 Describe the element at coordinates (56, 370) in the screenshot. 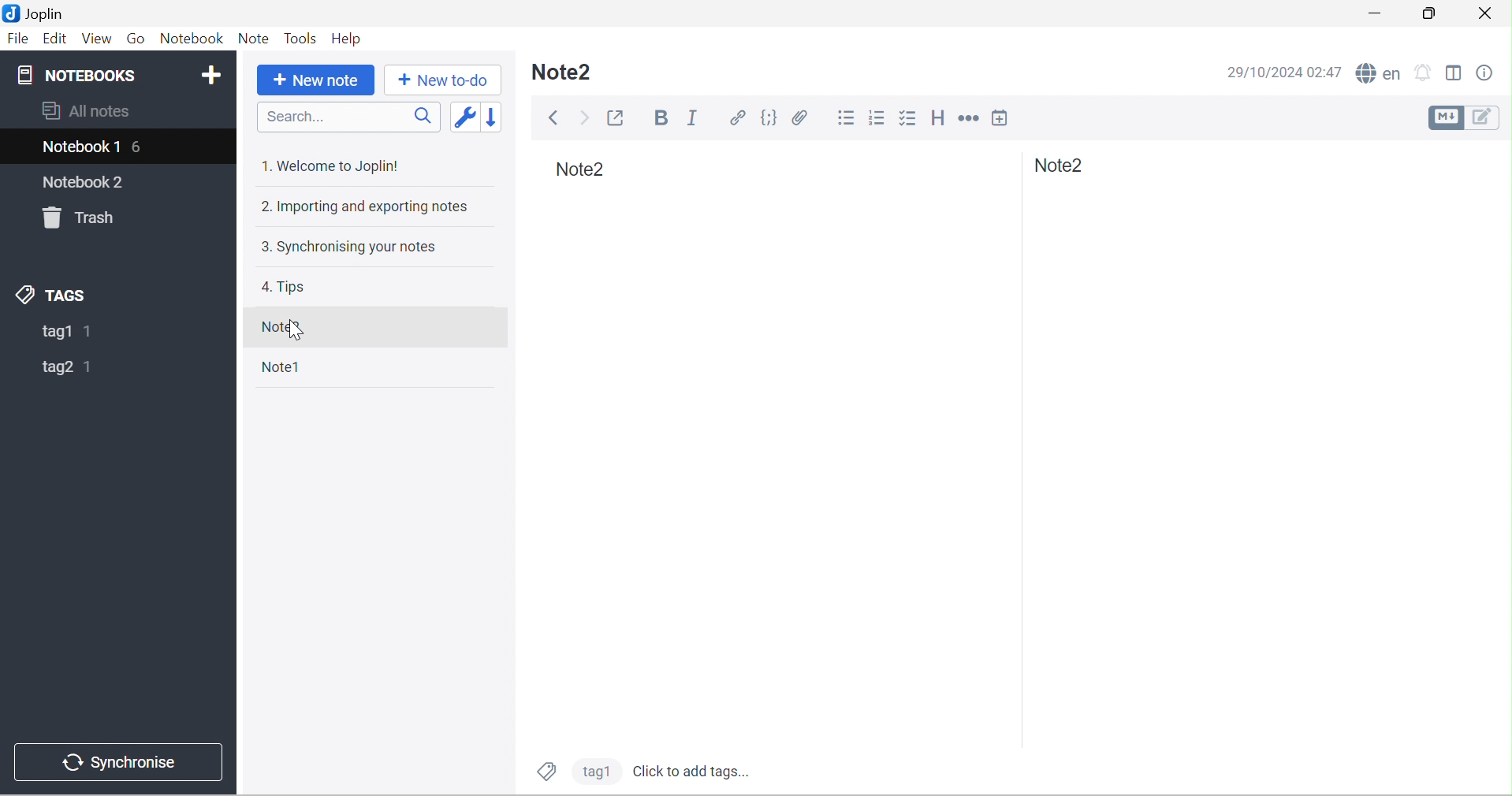

I see `tag2` at that location.